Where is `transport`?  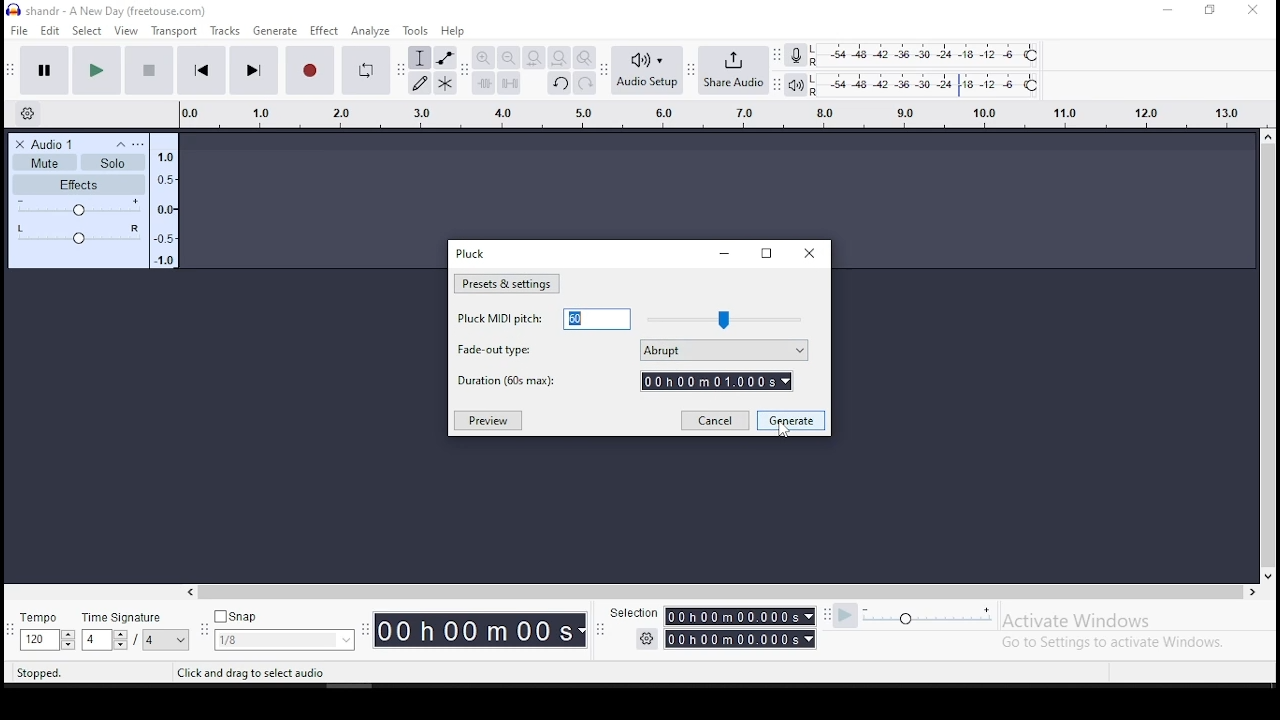
transport is located at coordinates (176, 30).